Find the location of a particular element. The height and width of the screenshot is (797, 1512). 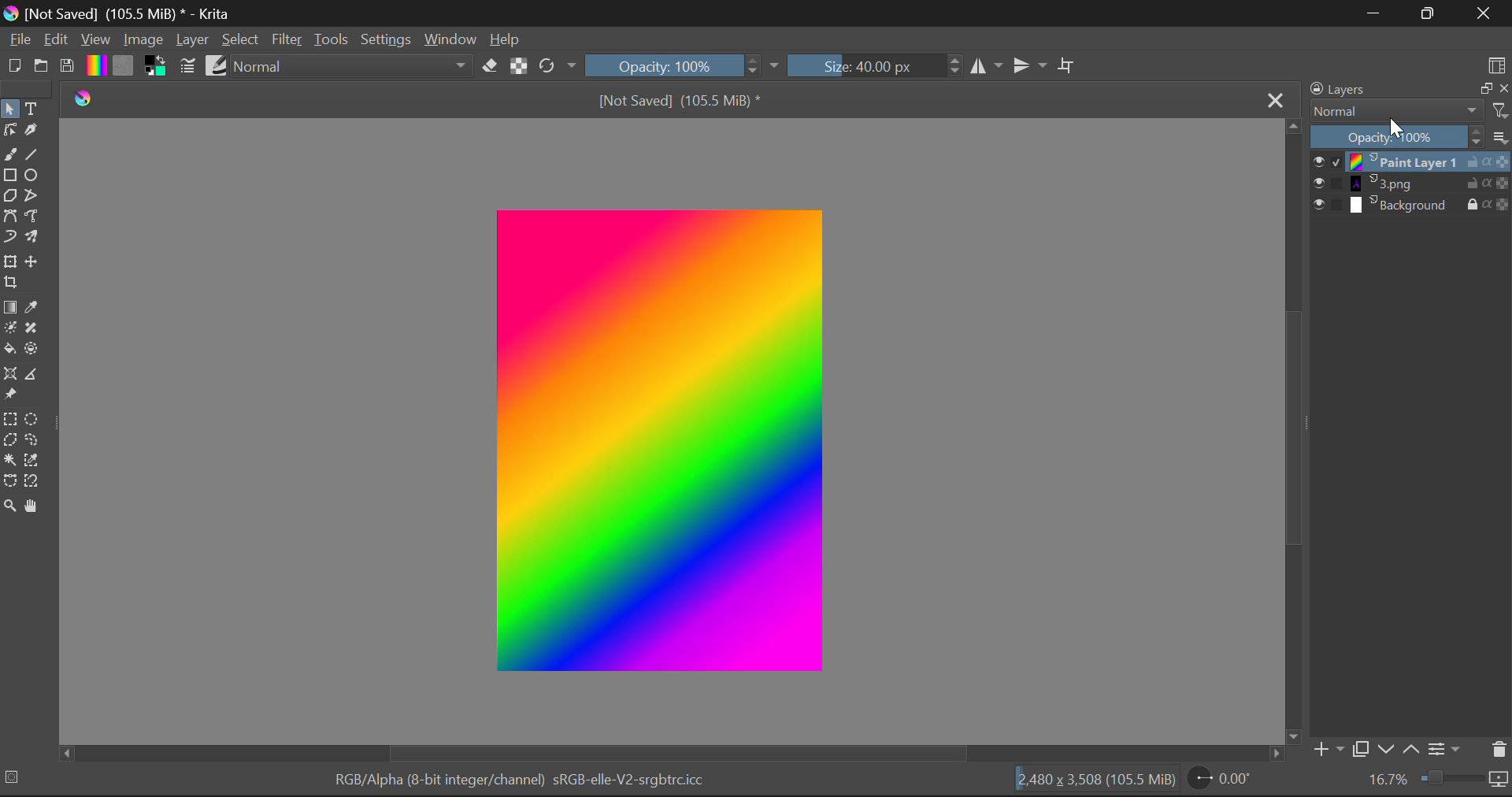

show or hide layer is located at coordinates (1327, 163).